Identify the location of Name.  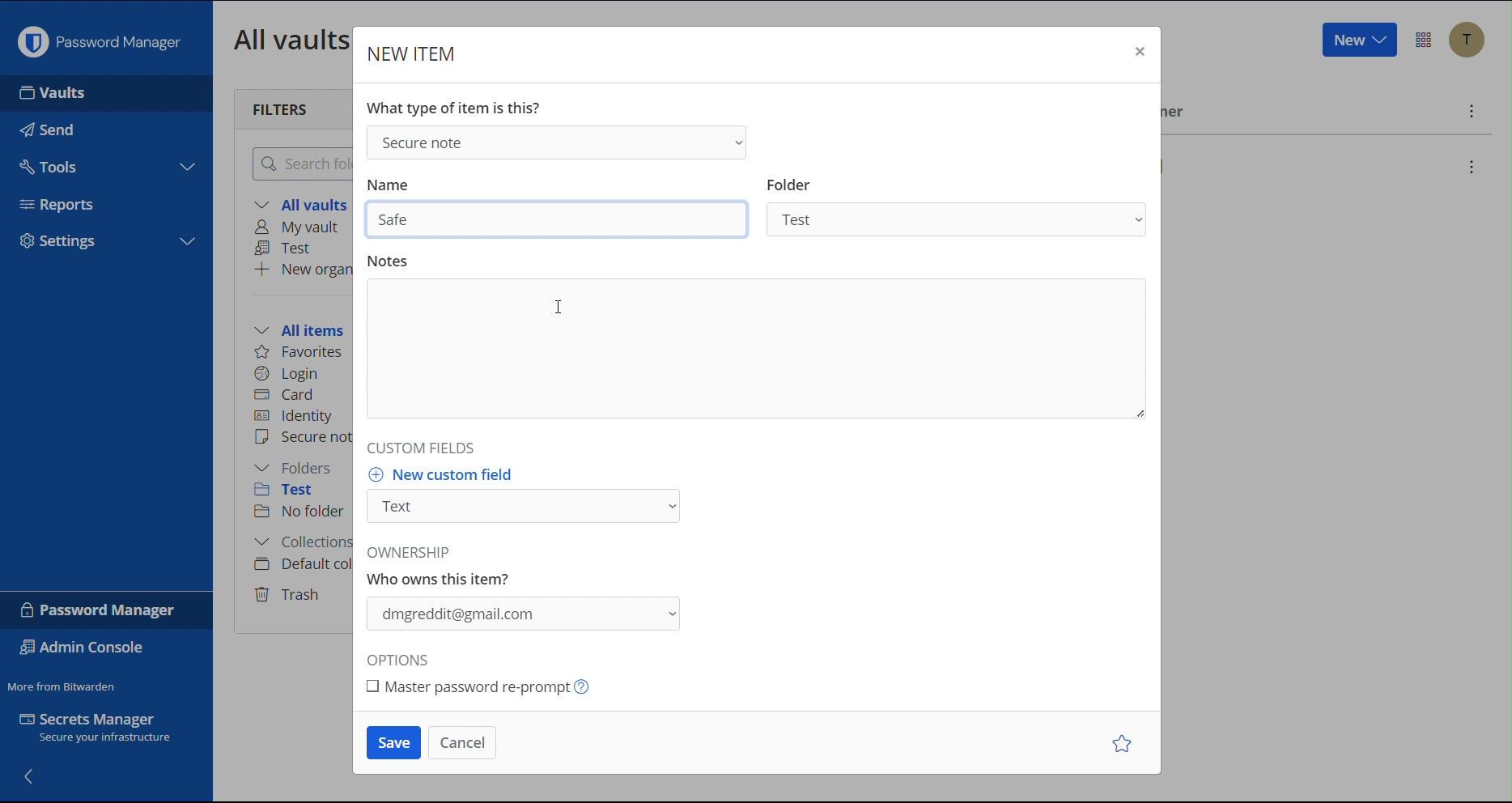
(388, 185).